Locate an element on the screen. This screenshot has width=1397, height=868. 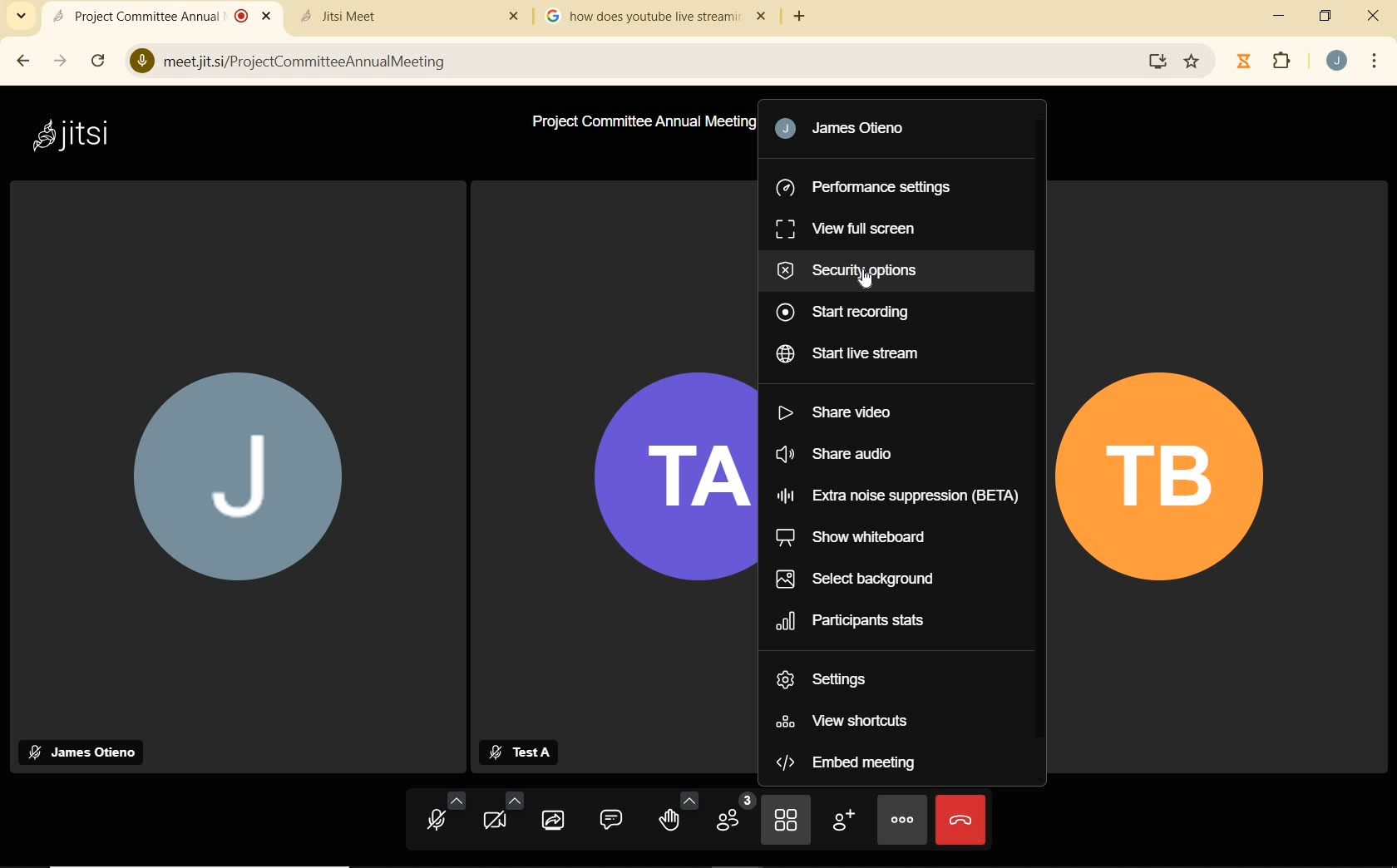
RELOAD is located at coordinates (98, 60).